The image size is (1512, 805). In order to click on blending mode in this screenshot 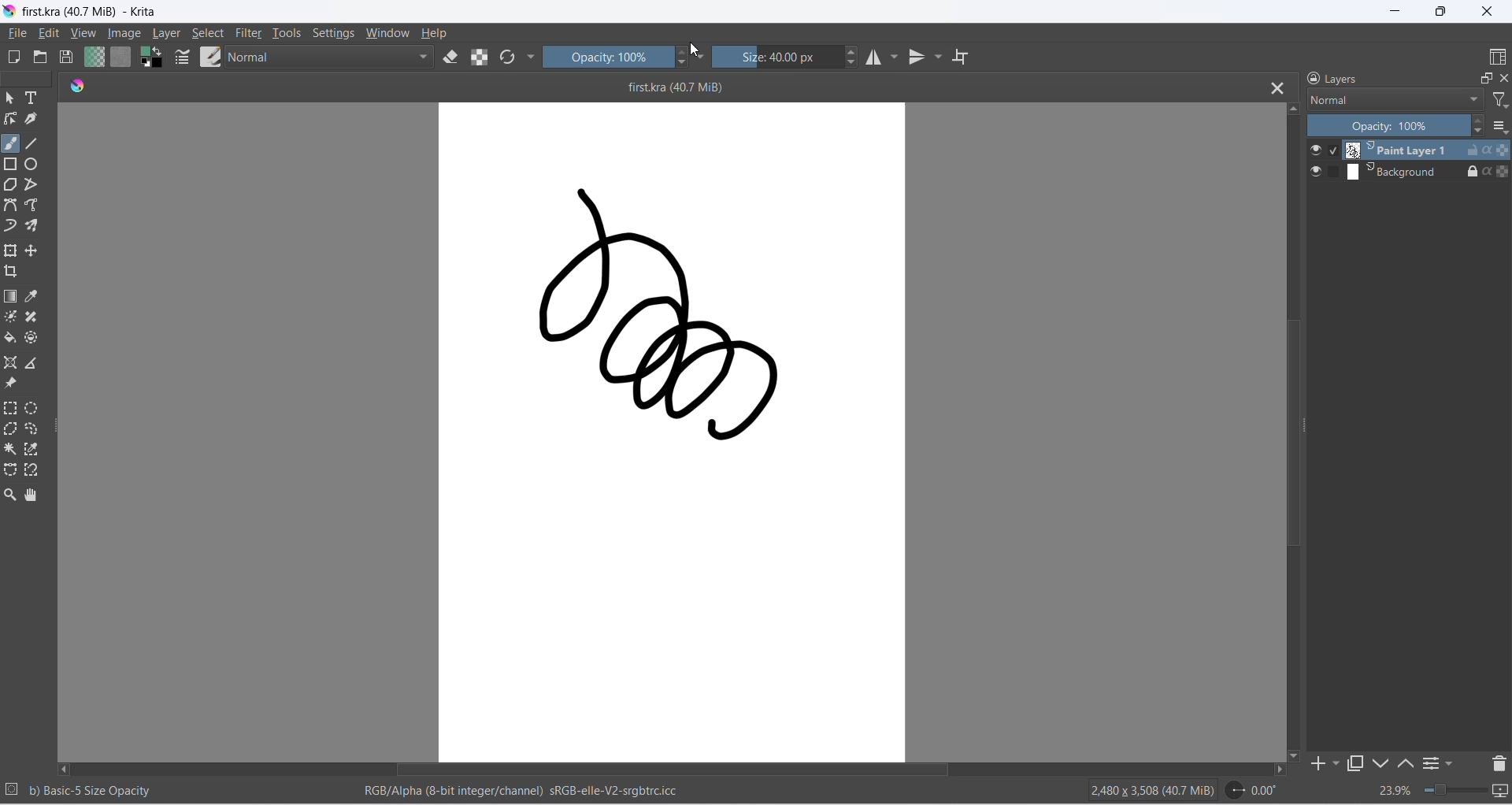, I will do `click(331, 57)`.